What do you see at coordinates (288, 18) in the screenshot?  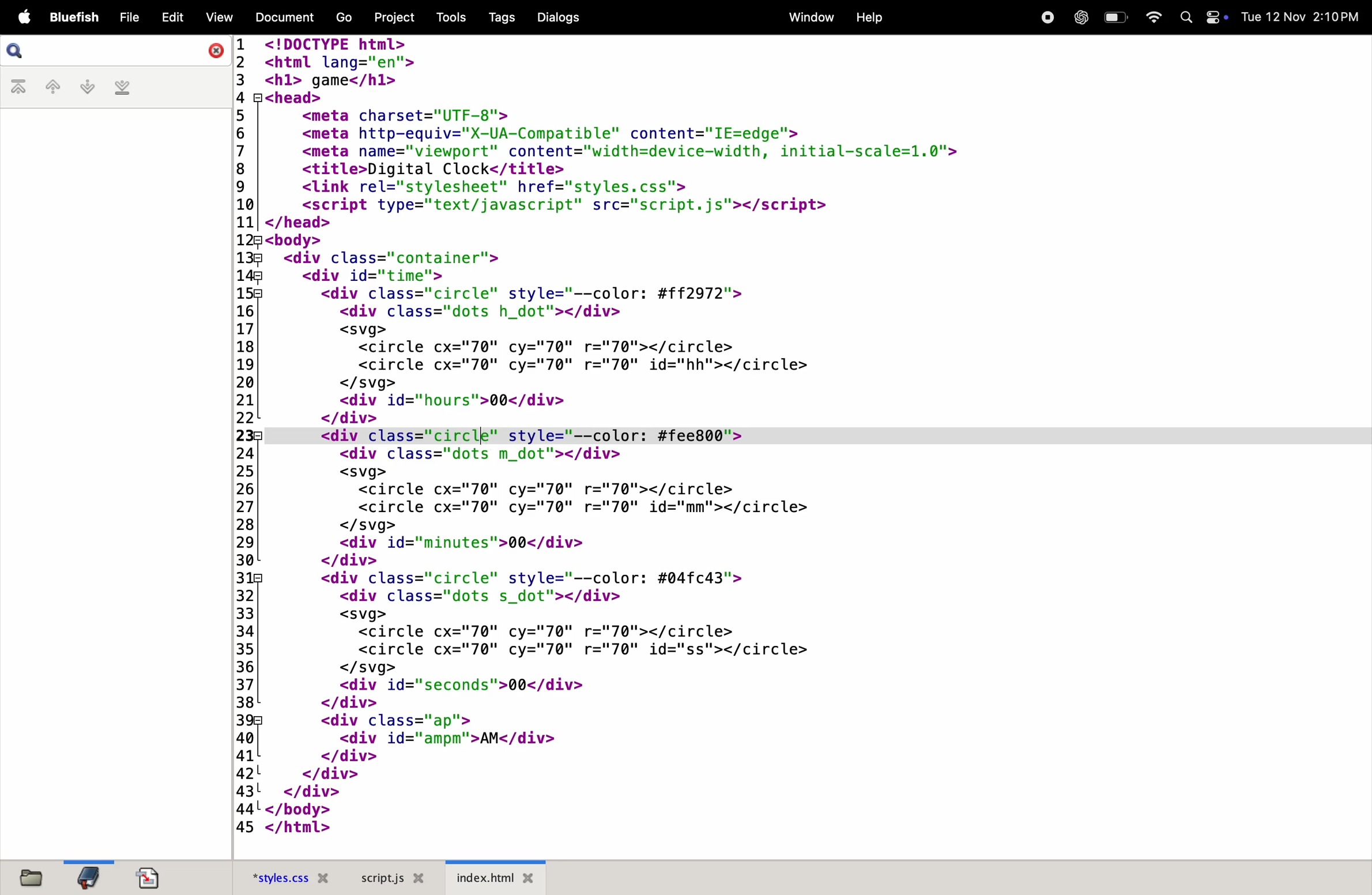 I see `document` at bounding box center [288, 18].